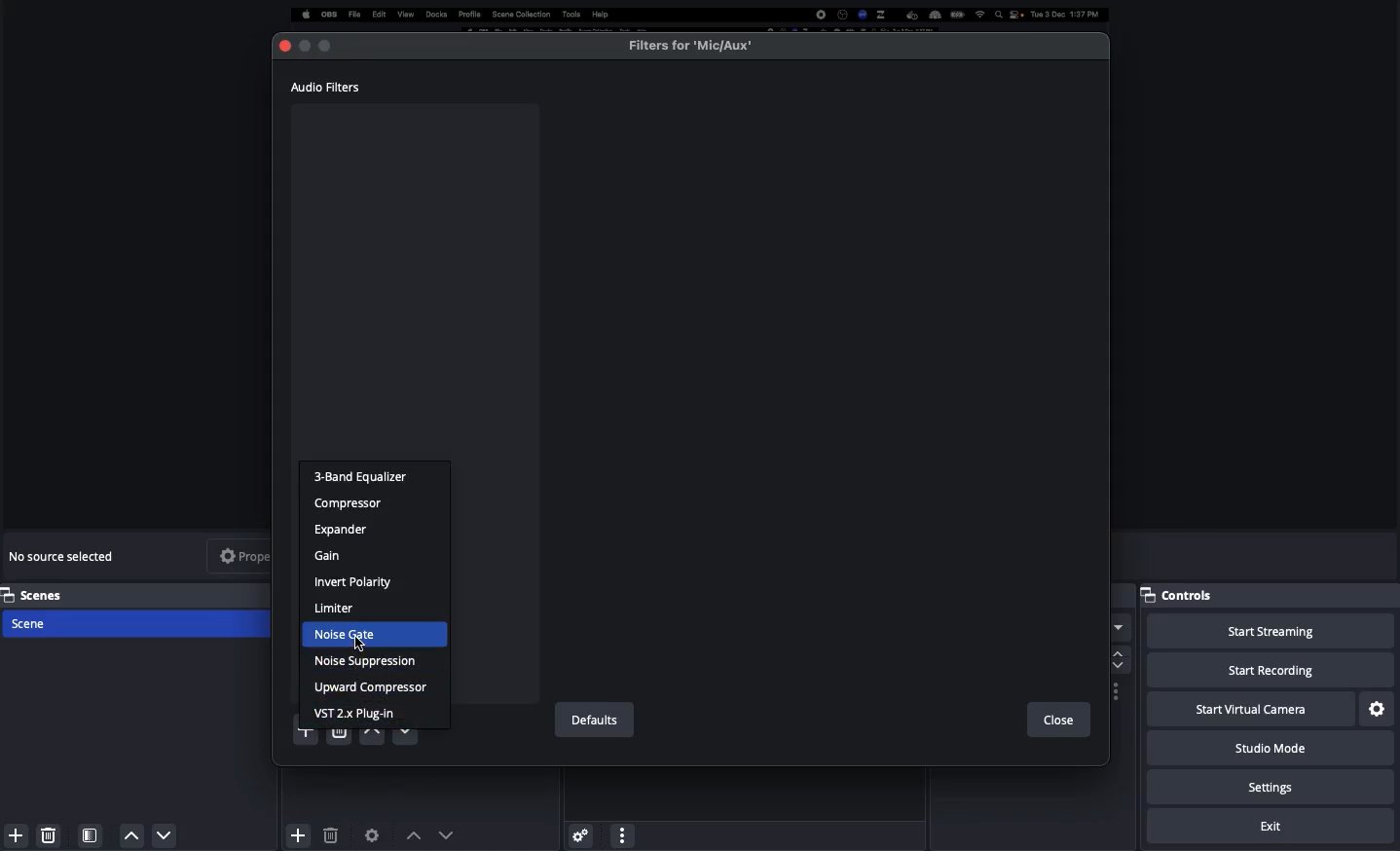 The width and height of the screenshot is (1400, 851). I want to click on Audio filter, so click(327, 87).